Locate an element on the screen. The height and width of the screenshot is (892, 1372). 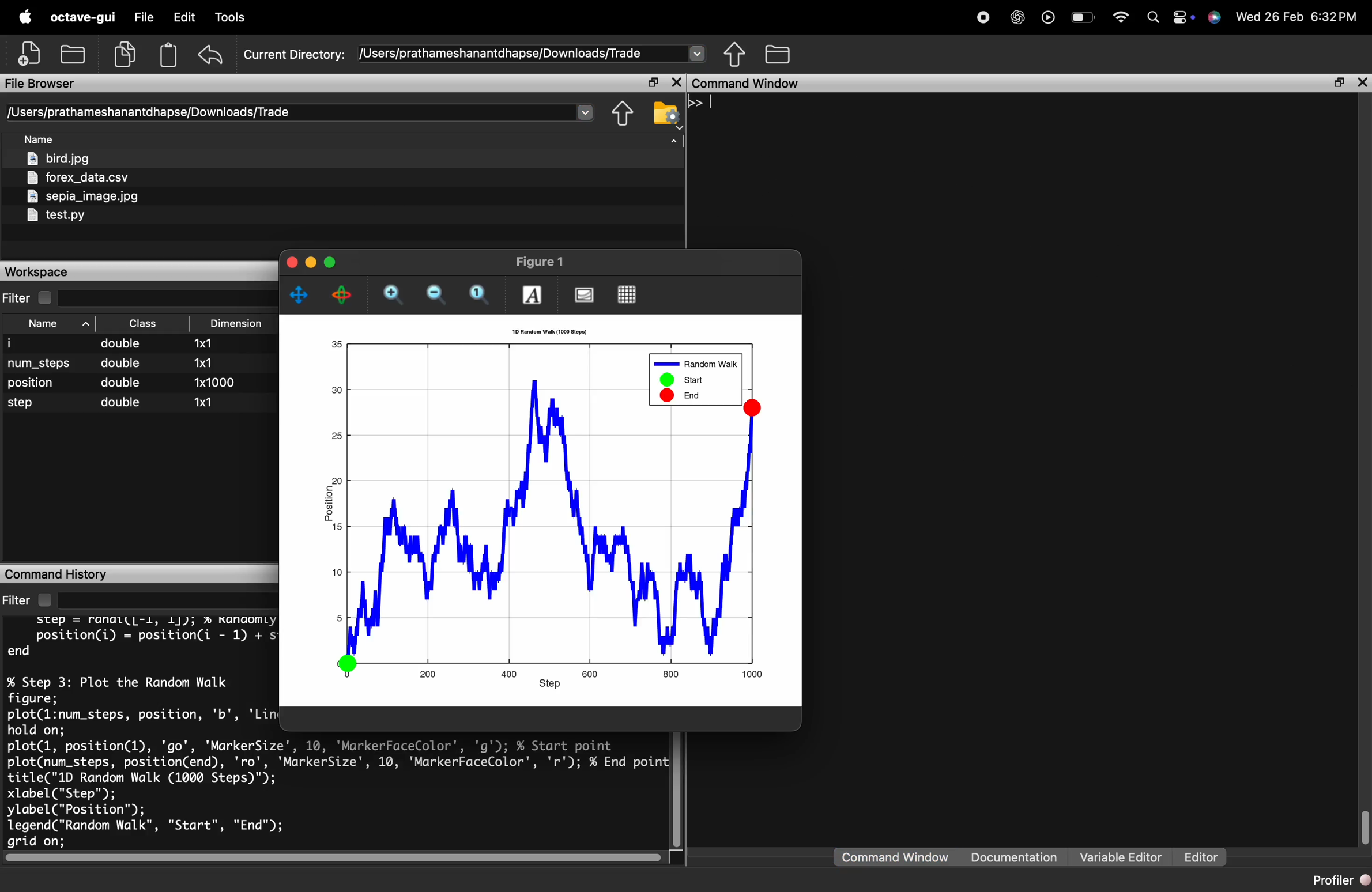
browse your file is located at coordinates (667, 114).